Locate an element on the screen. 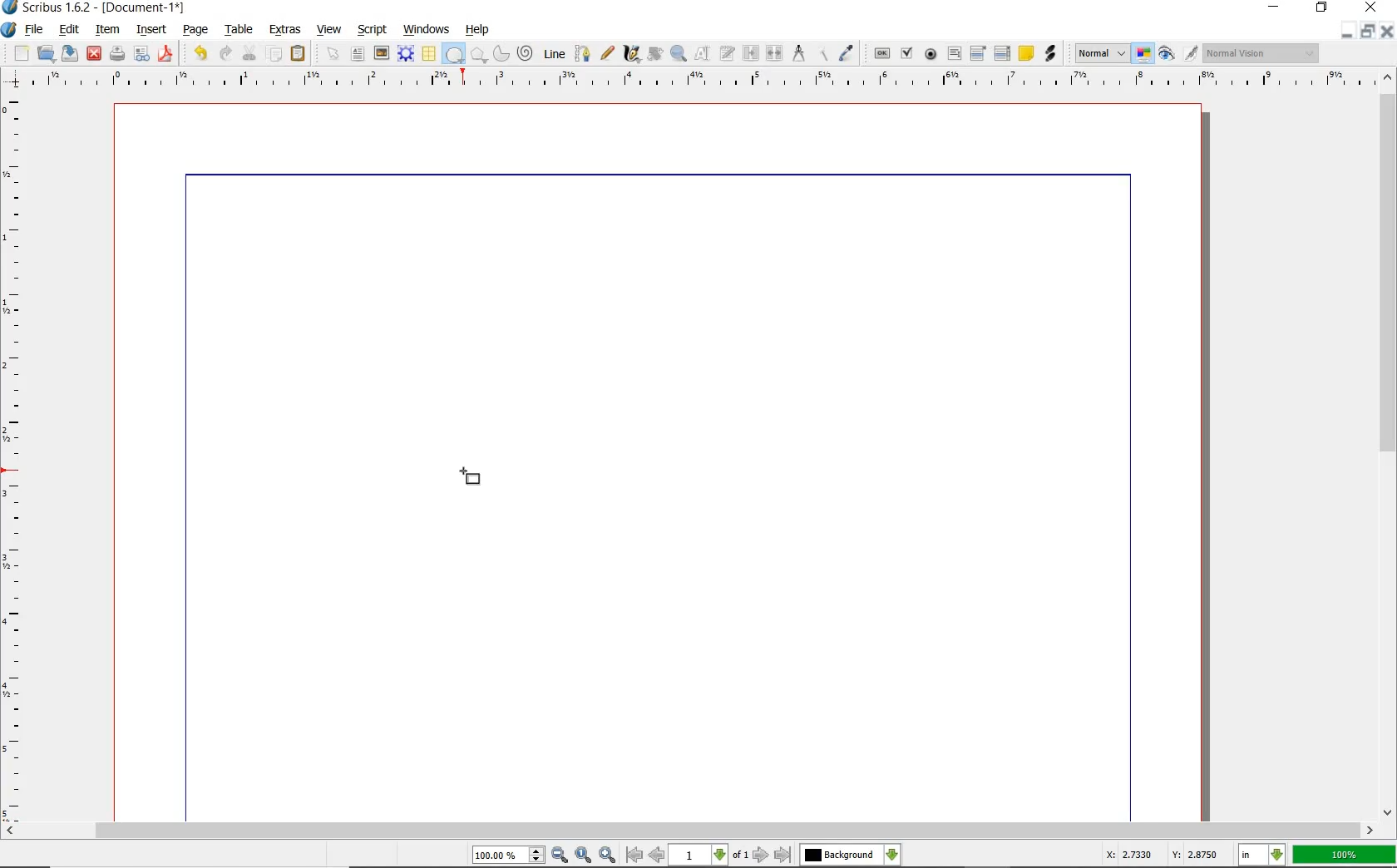  select current unit is located at coordinates (1261, 853).